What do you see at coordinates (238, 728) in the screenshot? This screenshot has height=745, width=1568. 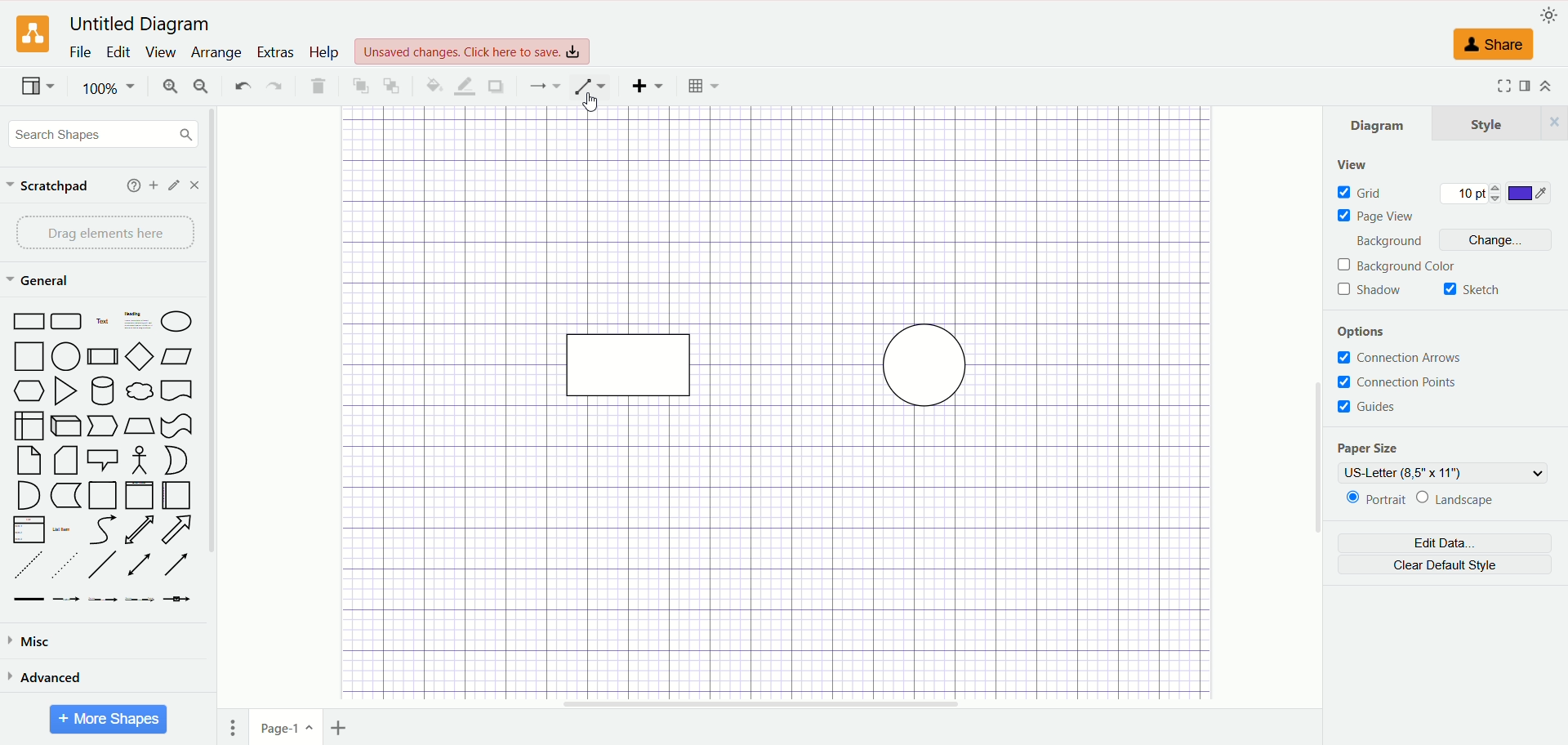 I see `pages` at bounding box center [238, 728].